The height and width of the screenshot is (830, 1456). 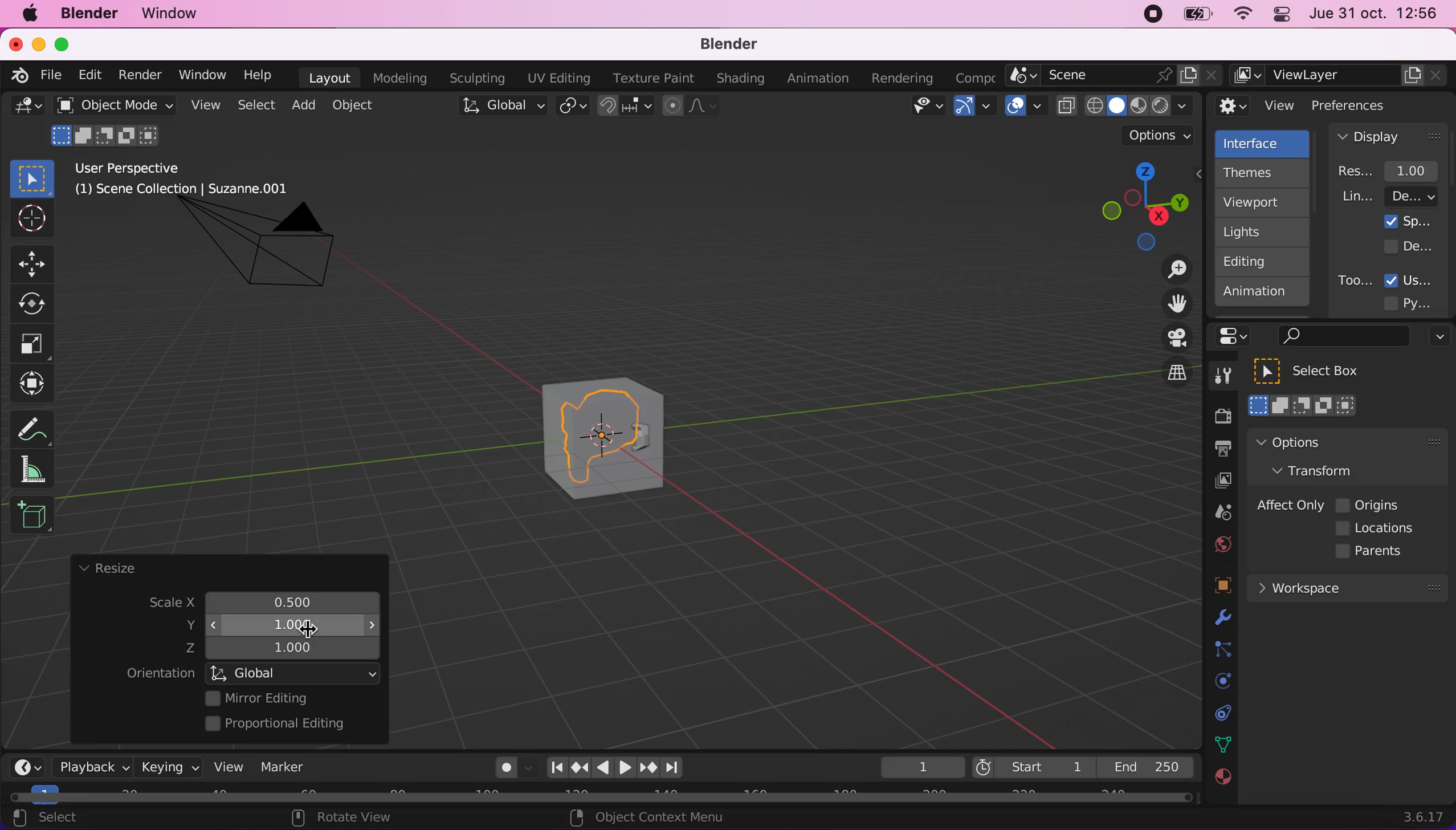 I want to click on jump to keyframe, so click(x=649, y=770).